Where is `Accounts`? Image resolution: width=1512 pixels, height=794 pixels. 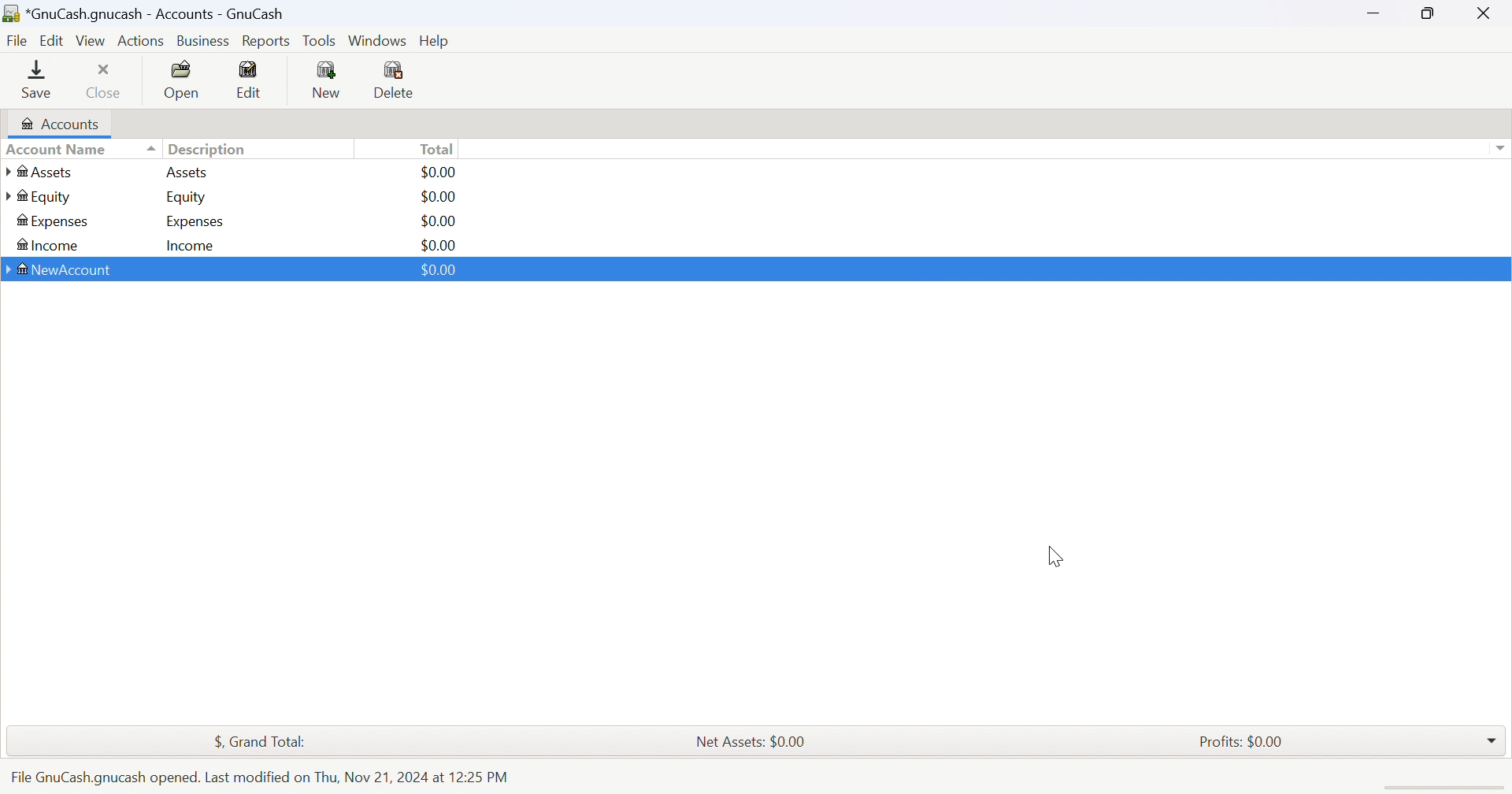
Accounts is located at coordinates (57, 124).